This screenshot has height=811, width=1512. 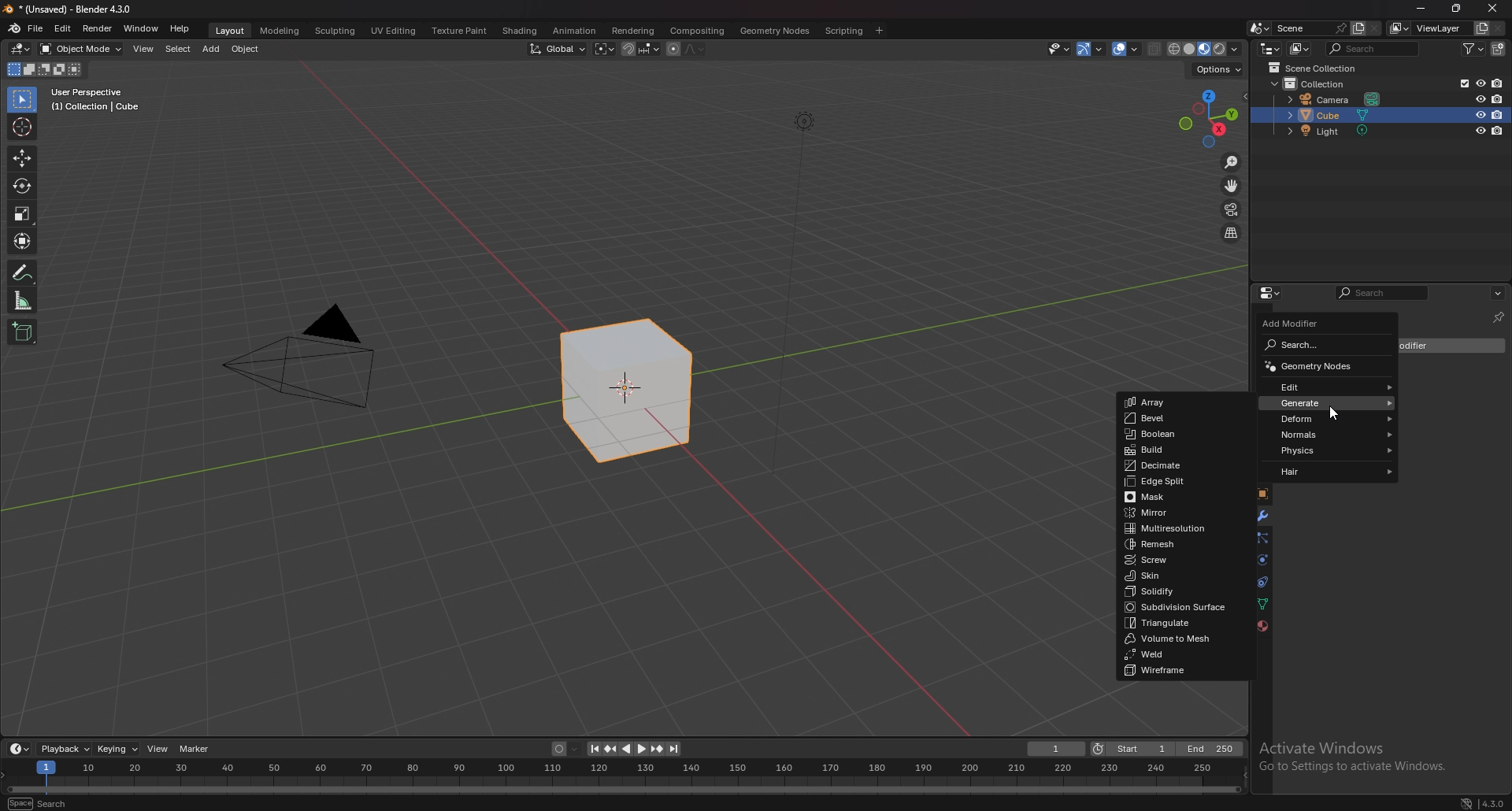 What do you see at coordinates (63, 28) in the screenshot?
I see `edit` at bounding box center [63, 28].